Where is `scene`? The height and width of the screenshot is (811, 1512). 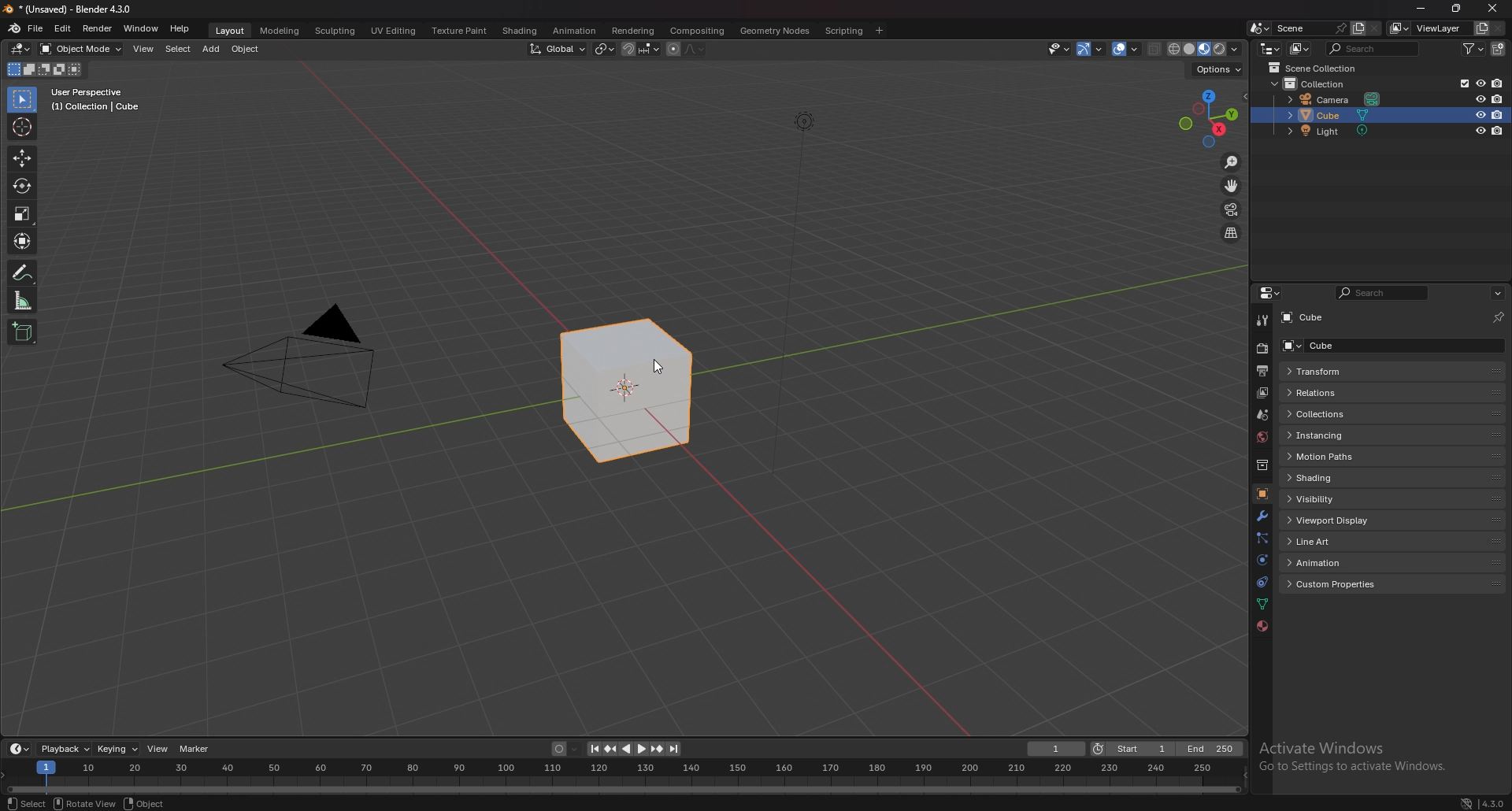 scene is located at coordinates (1262, 415).